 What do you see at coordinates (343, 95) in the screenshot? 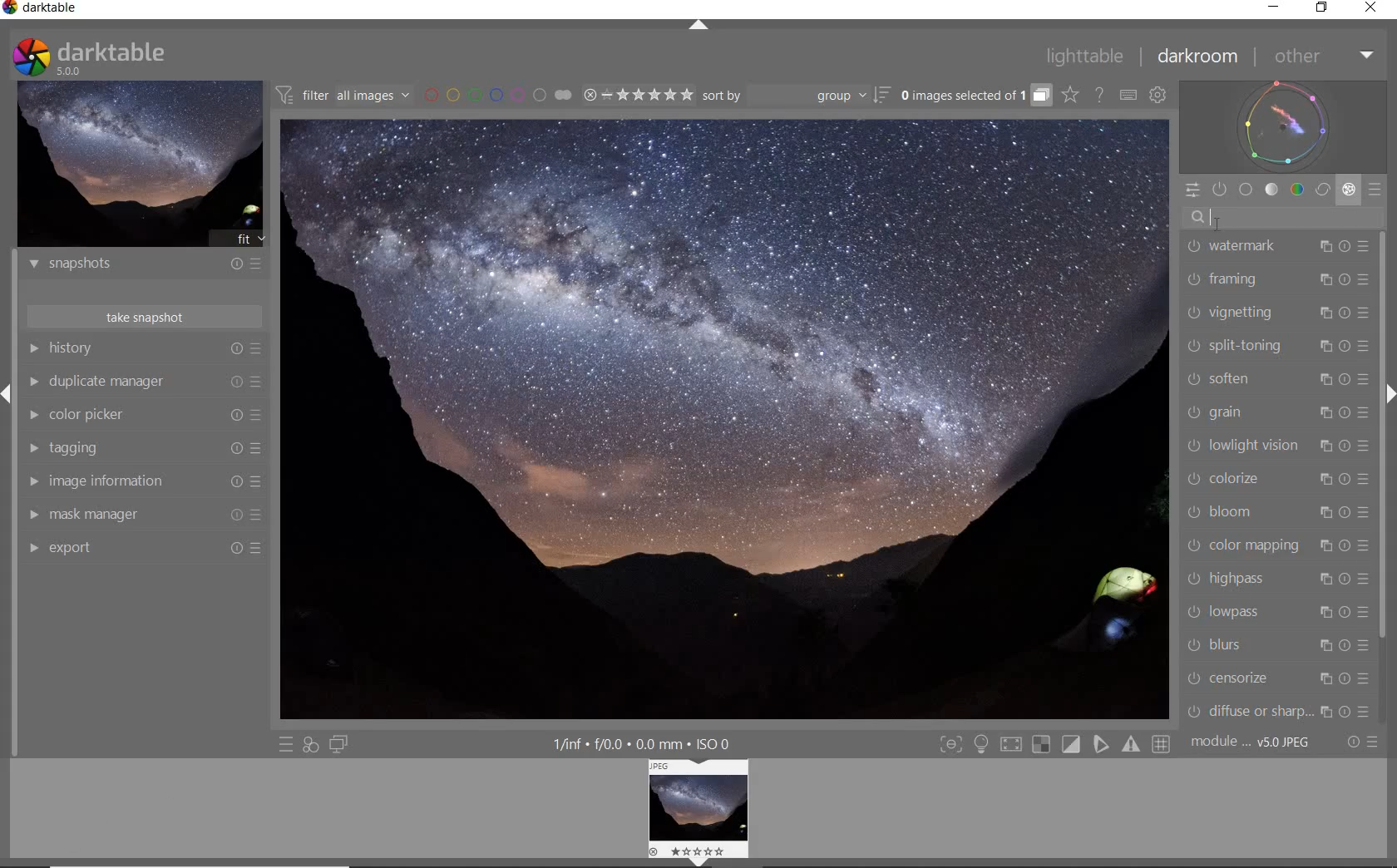
I see `FILTER IMAGES BASED ON THEIR MODULE ORDER` at bounding box center [343, 95].